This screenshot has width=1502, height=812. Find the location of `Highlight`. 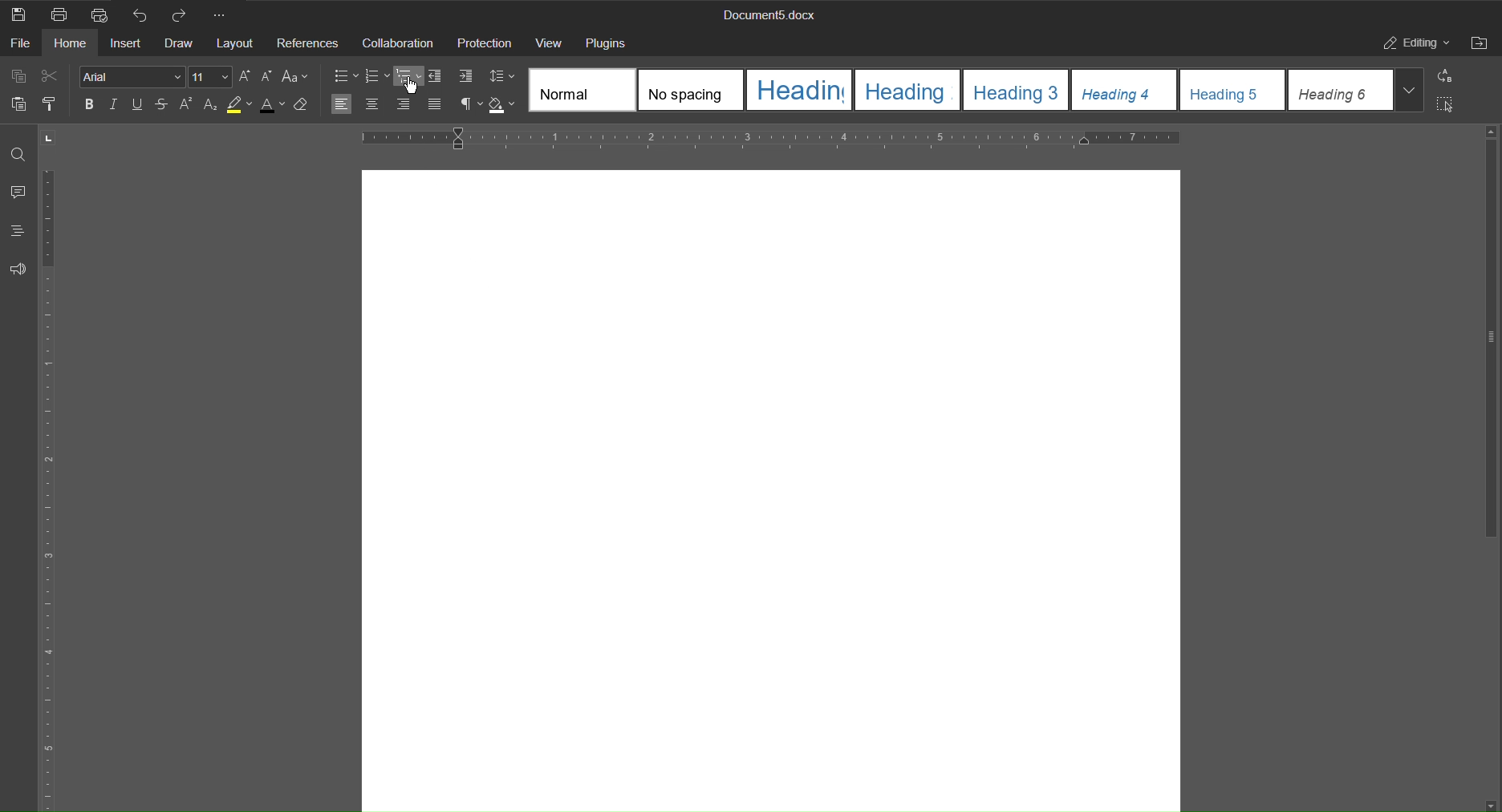

Highlight is located at coordinates (242, 104).